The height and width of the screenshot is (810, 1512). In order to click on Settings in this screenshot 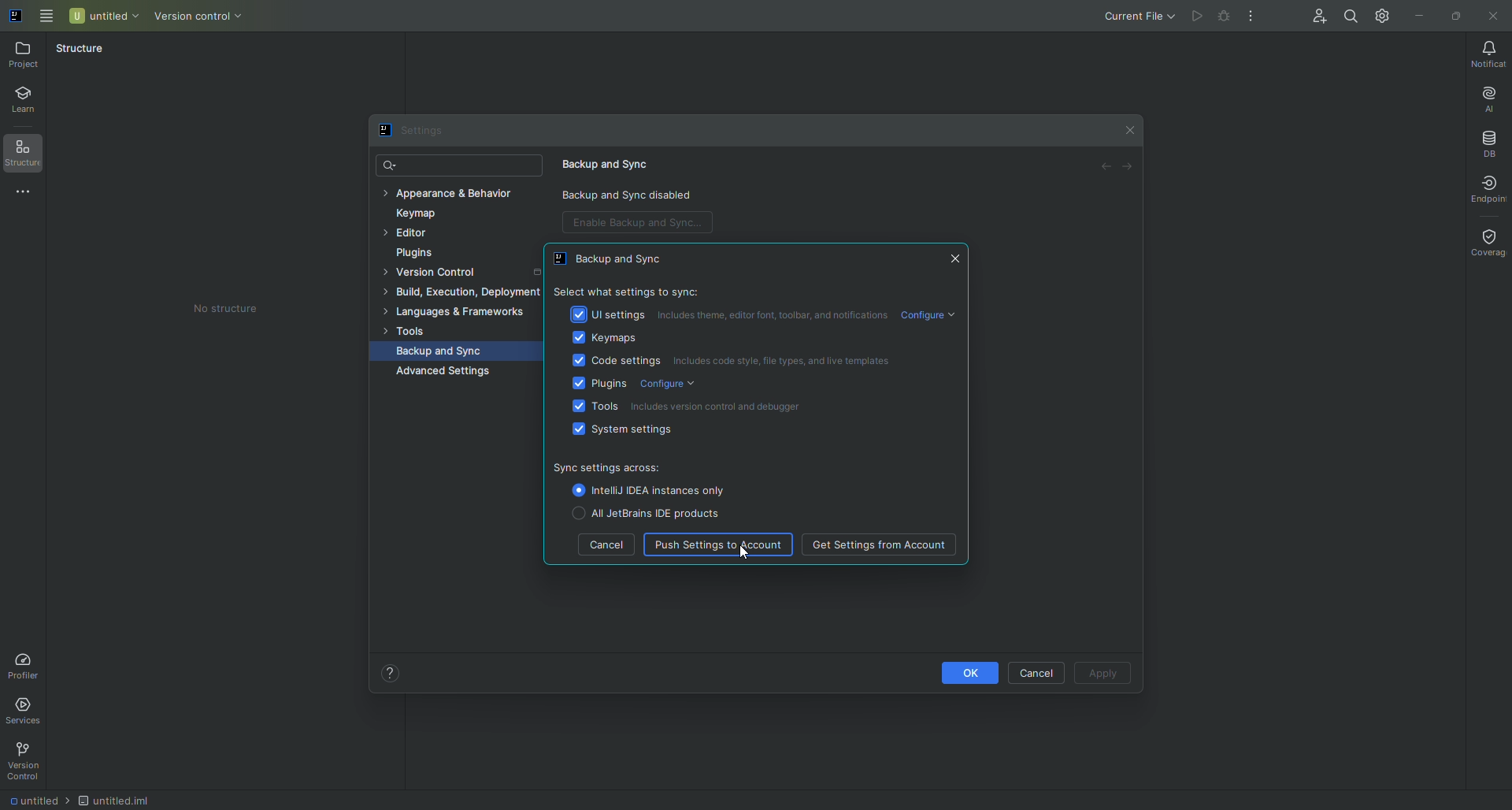, I will do `click(416, 132)`.